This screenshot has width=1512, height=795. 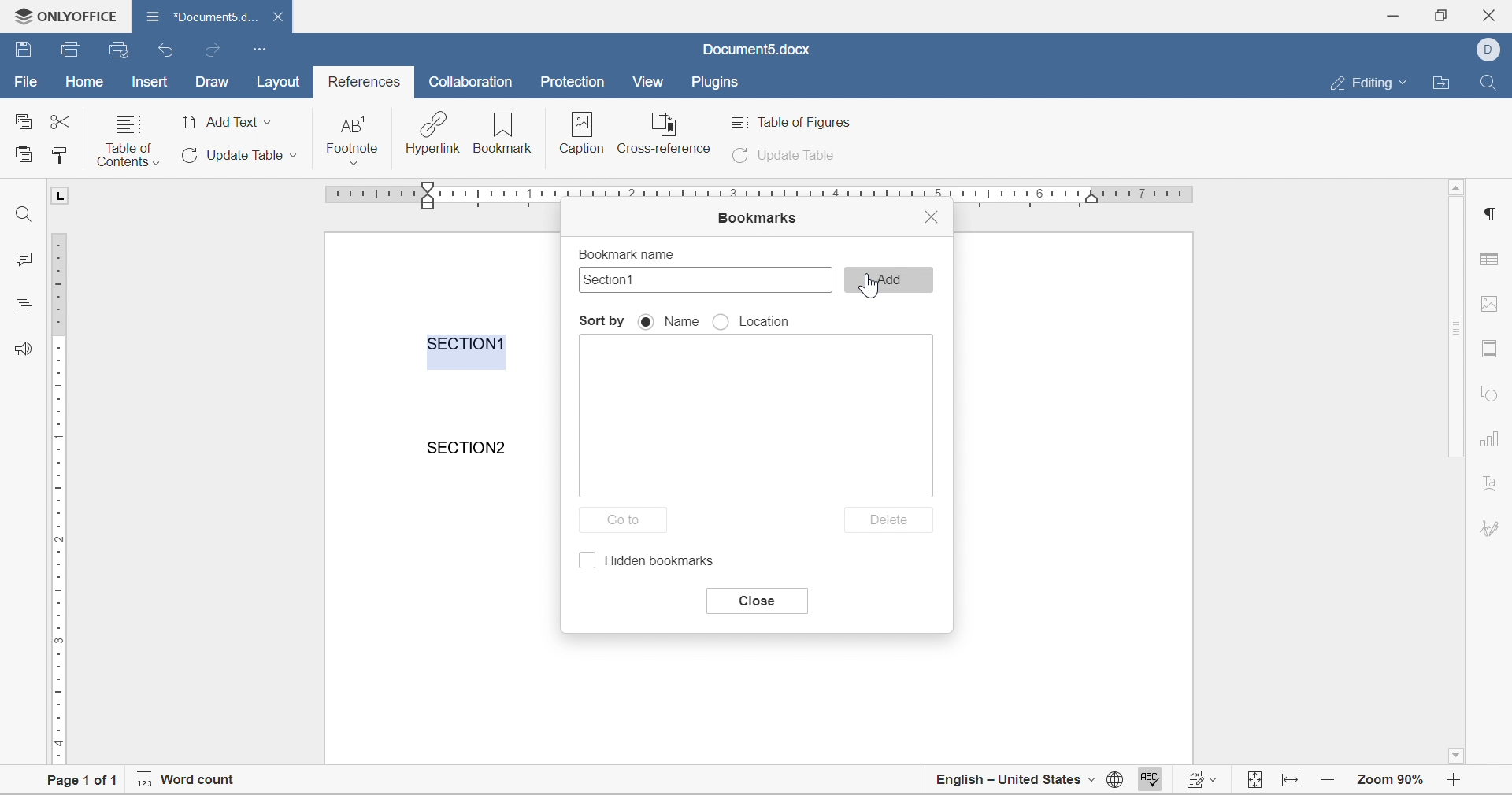 What do you see at coordinates (1330, 778) in the screenshot?
I see `zoom in` at bounding box center [1330, 778].